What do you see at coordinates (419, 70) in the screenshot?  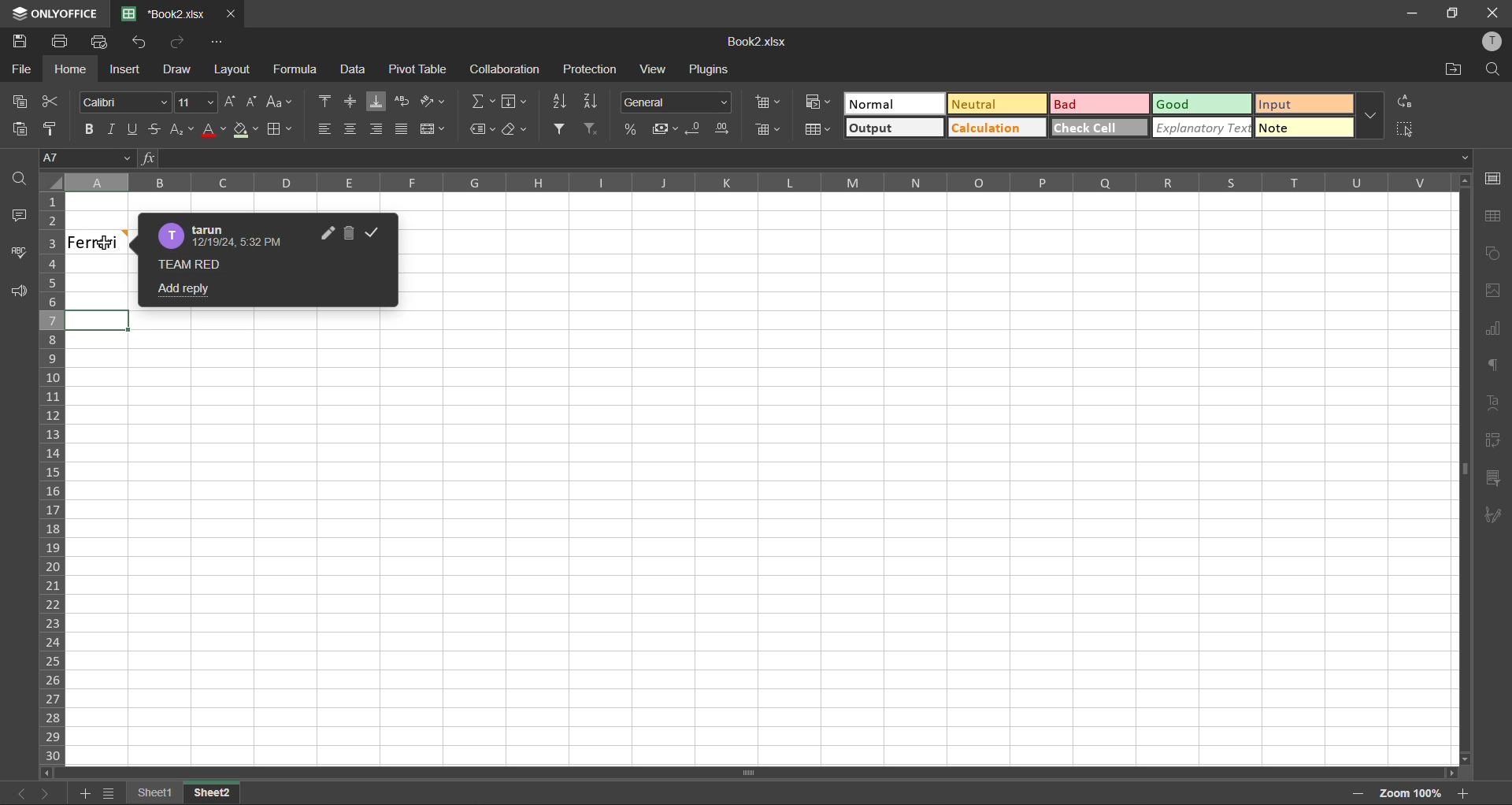 I see `pivot table` at bounding box center [419, 70].